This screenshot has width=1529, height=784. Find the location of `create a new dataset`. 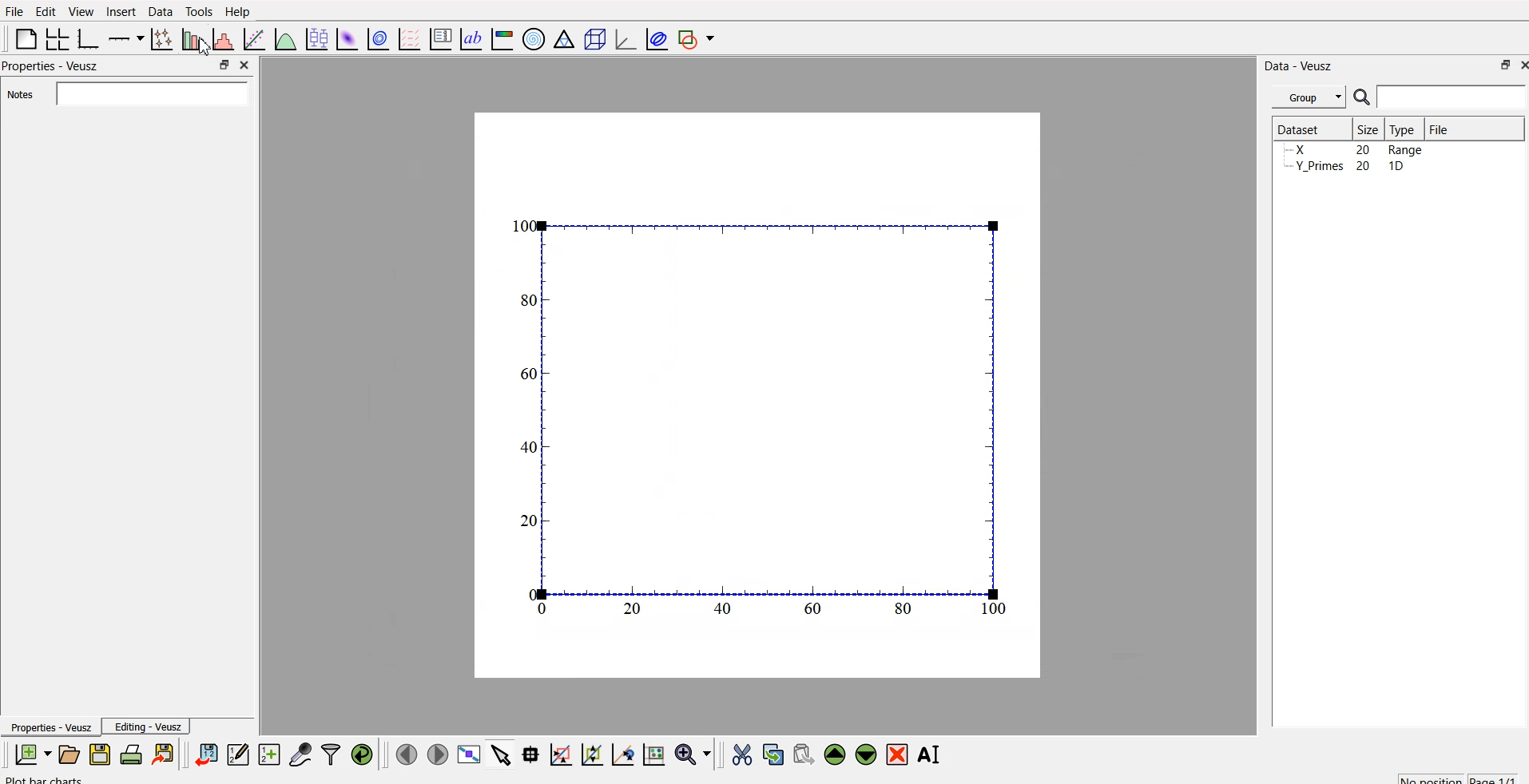

create a new dataset is located at coordinates (269, 756).